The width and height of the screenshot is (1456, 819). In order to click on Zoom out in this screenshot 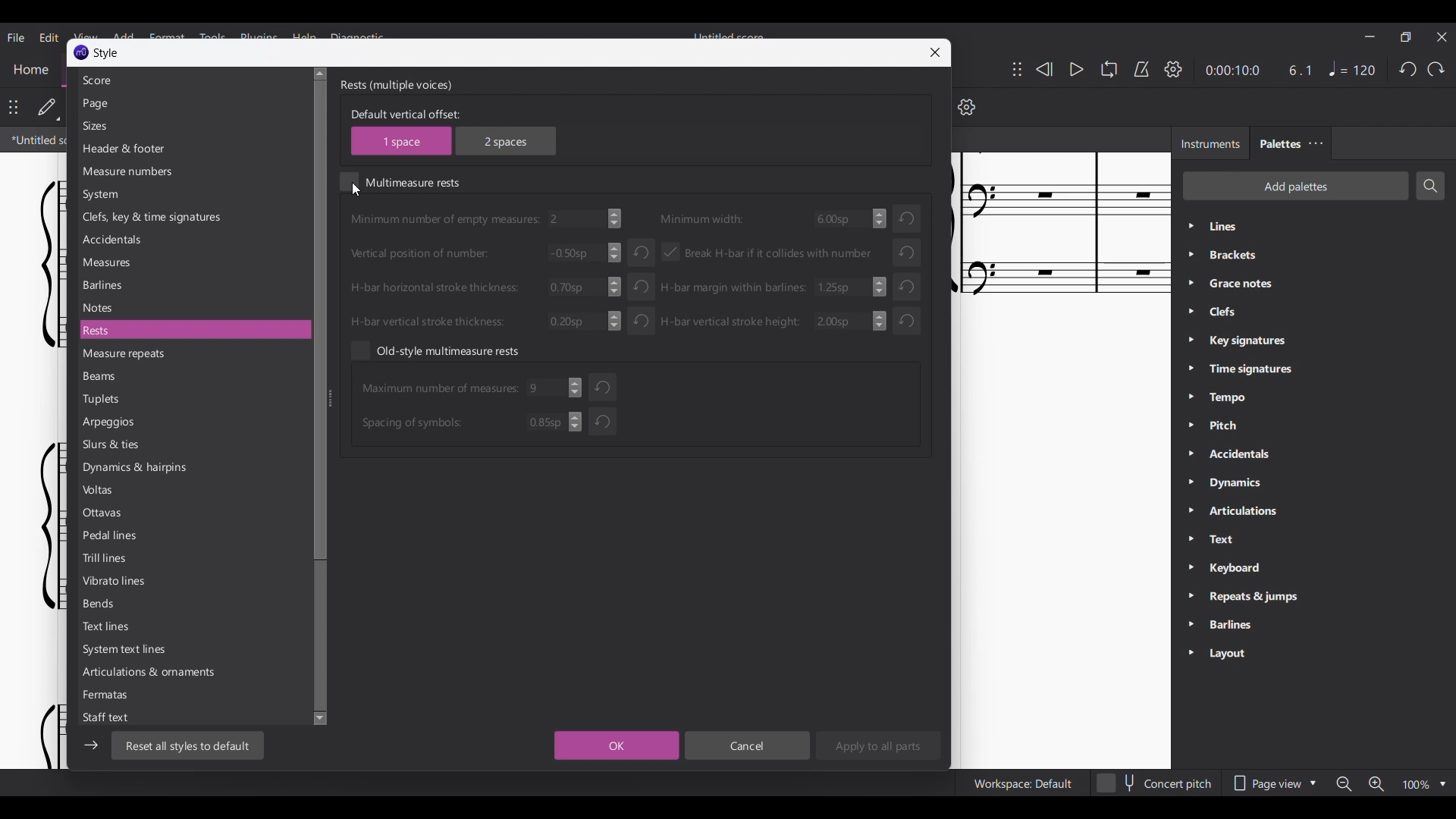, I will do `click(1344, 784)`.